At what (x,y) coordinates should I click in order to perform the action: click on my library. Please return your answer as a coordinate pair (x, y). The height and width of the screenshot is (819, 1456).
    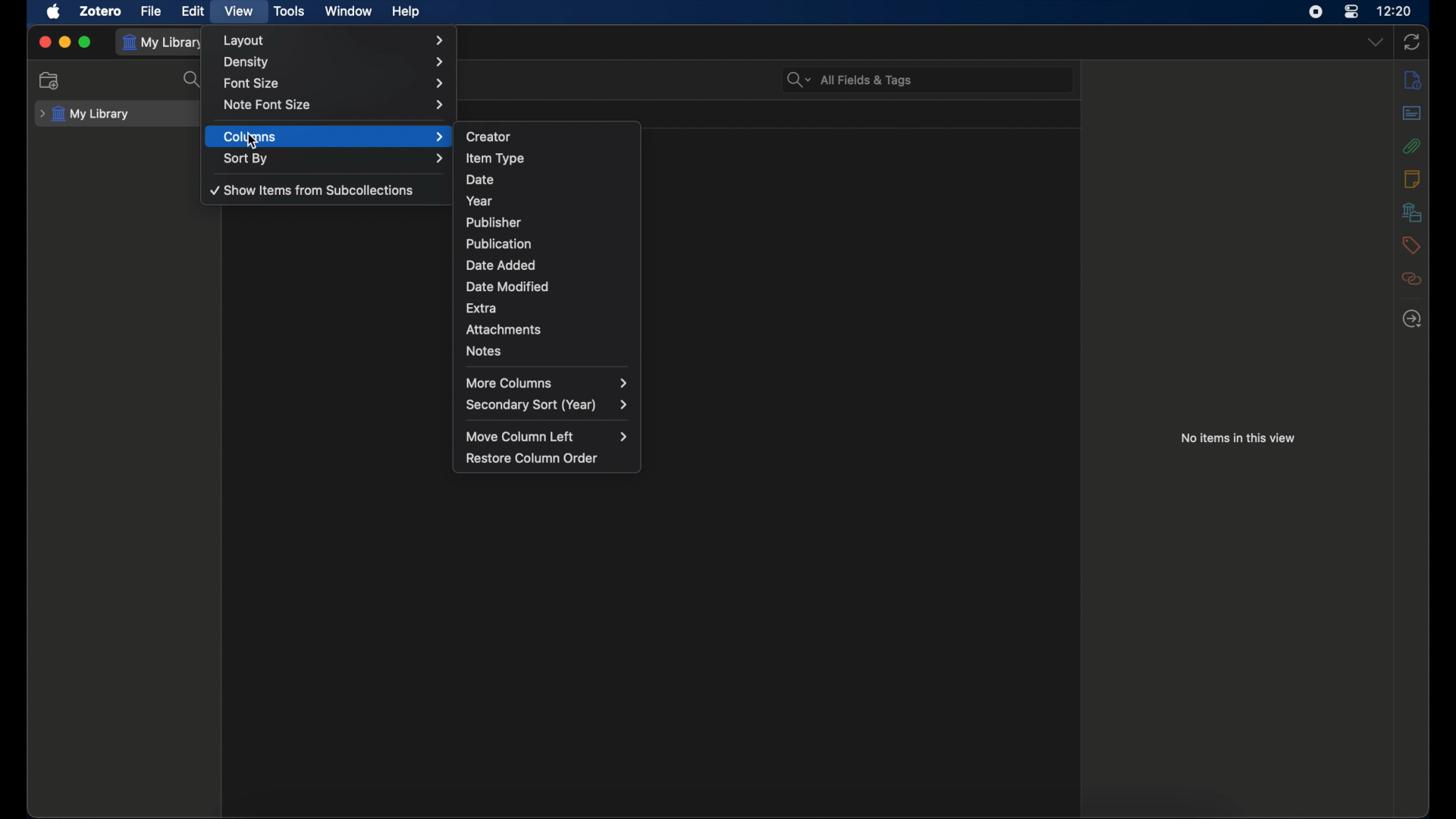
    Looking at the image, I should click on (83, 115).